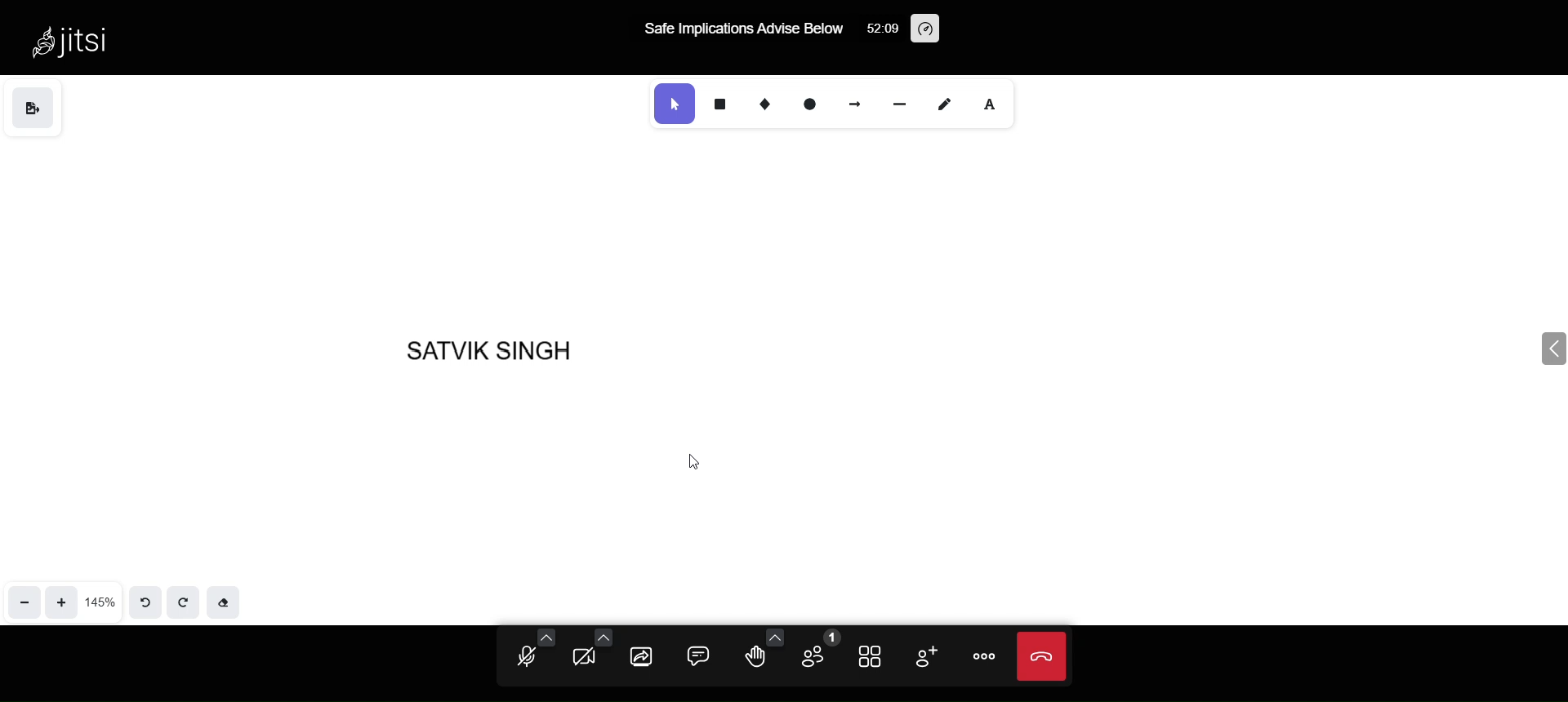  Describe the element at coordinates (588, 659) in the screenshot. I see `start camera` at that location.